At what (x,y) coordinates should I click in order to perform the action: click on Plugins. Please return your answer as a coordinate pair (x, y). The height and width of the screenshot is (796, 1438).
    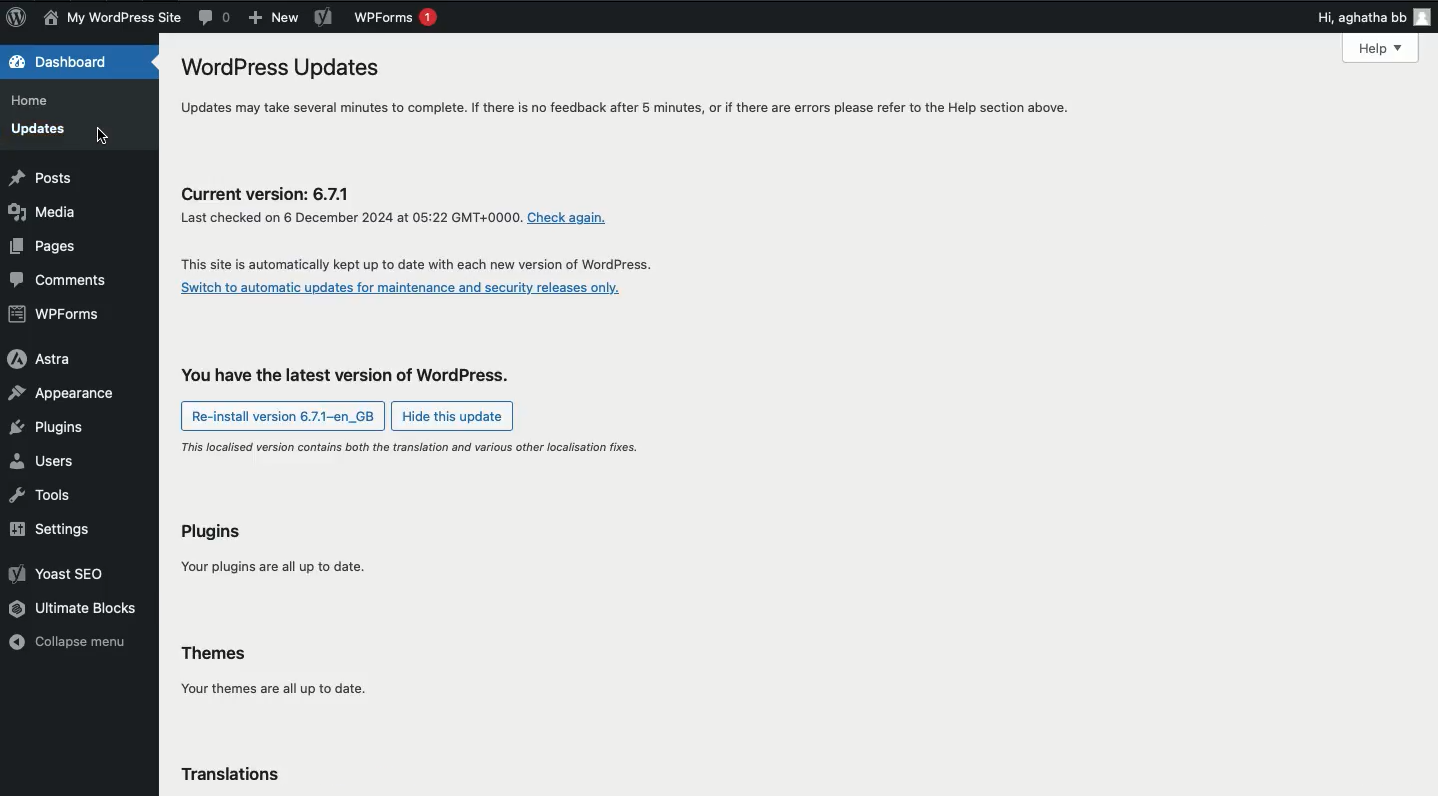
    Looking at the image, I should click on (278, 552).